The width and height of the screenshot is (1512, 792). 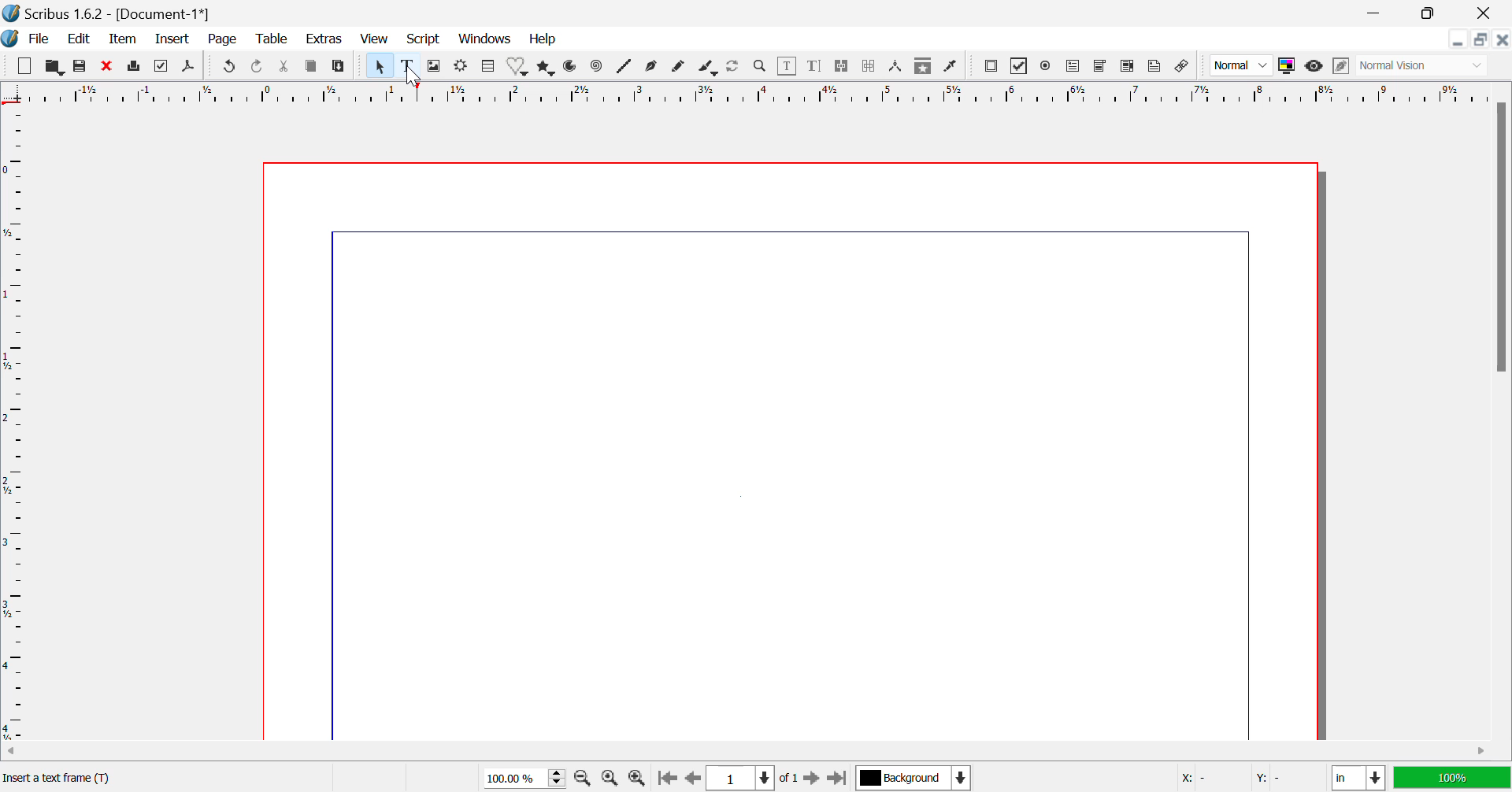 I want to click on New, so click(x=24, y=65).